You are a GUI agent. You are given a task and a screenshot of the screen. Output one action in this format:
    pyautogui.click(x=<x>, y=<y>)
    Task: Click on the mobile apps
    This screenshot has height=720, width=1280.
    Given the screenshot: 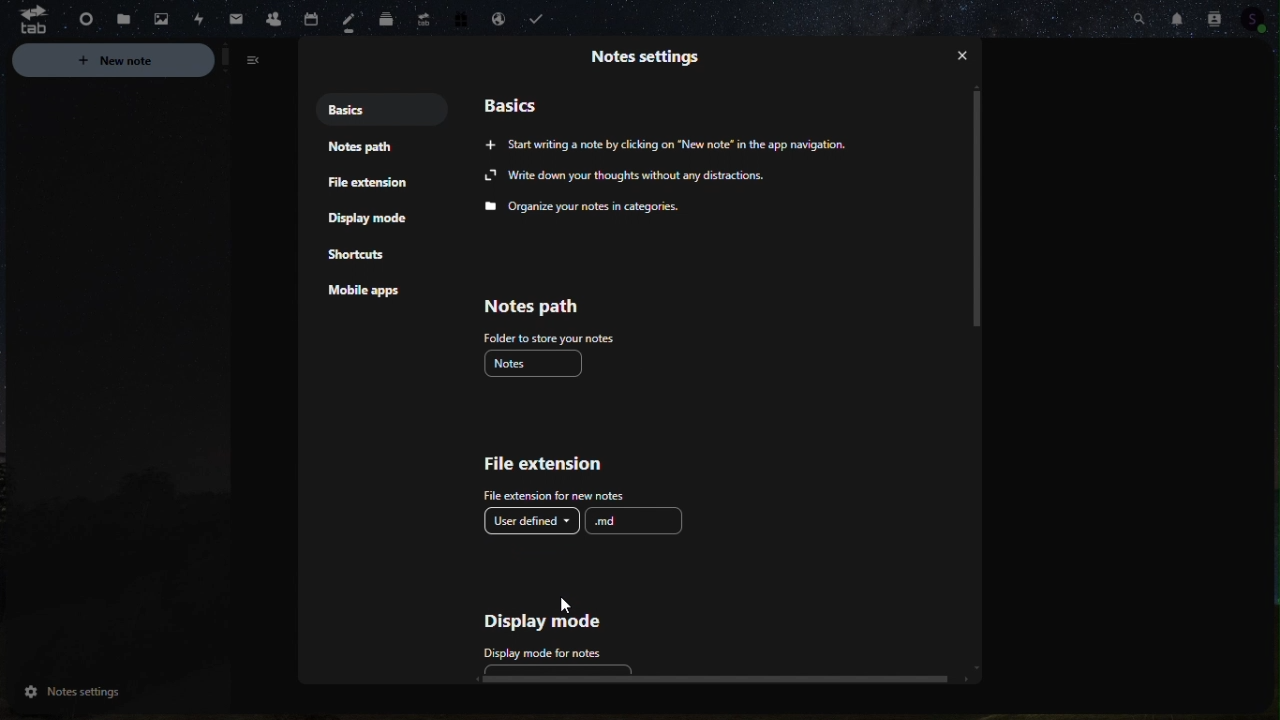 What is the action you would take?
    pyautogui.click(x=377, y=296)
    